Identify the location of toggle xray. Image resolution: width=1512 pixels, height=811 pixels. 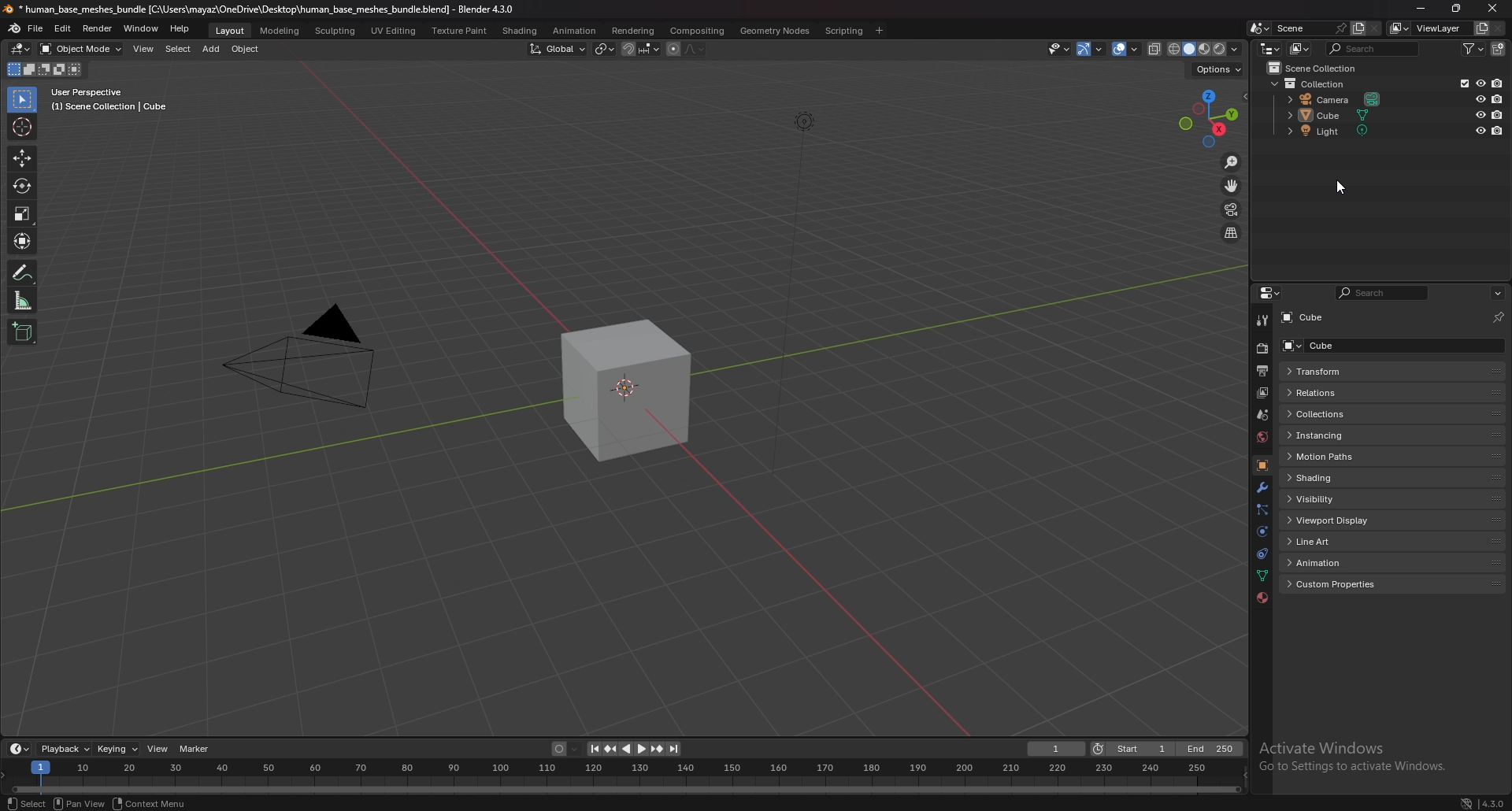
(1155, 49).